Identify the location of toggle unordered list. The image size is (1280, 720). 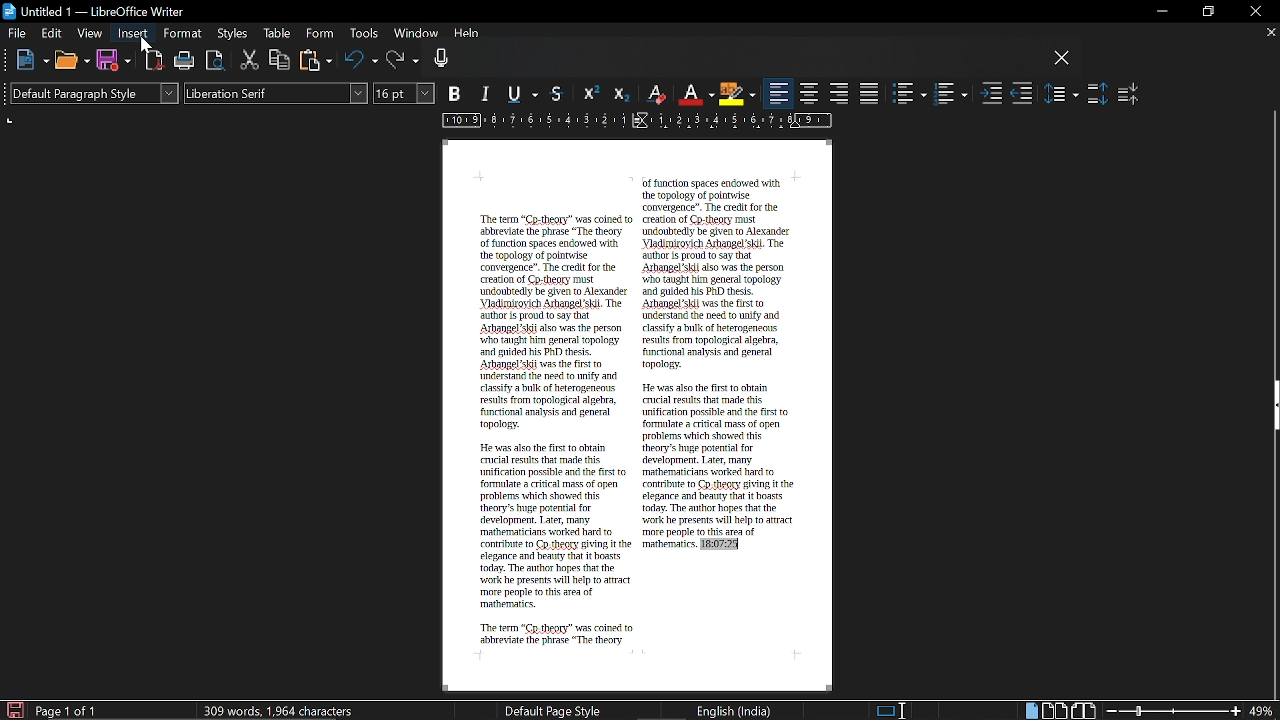
(910, 94).